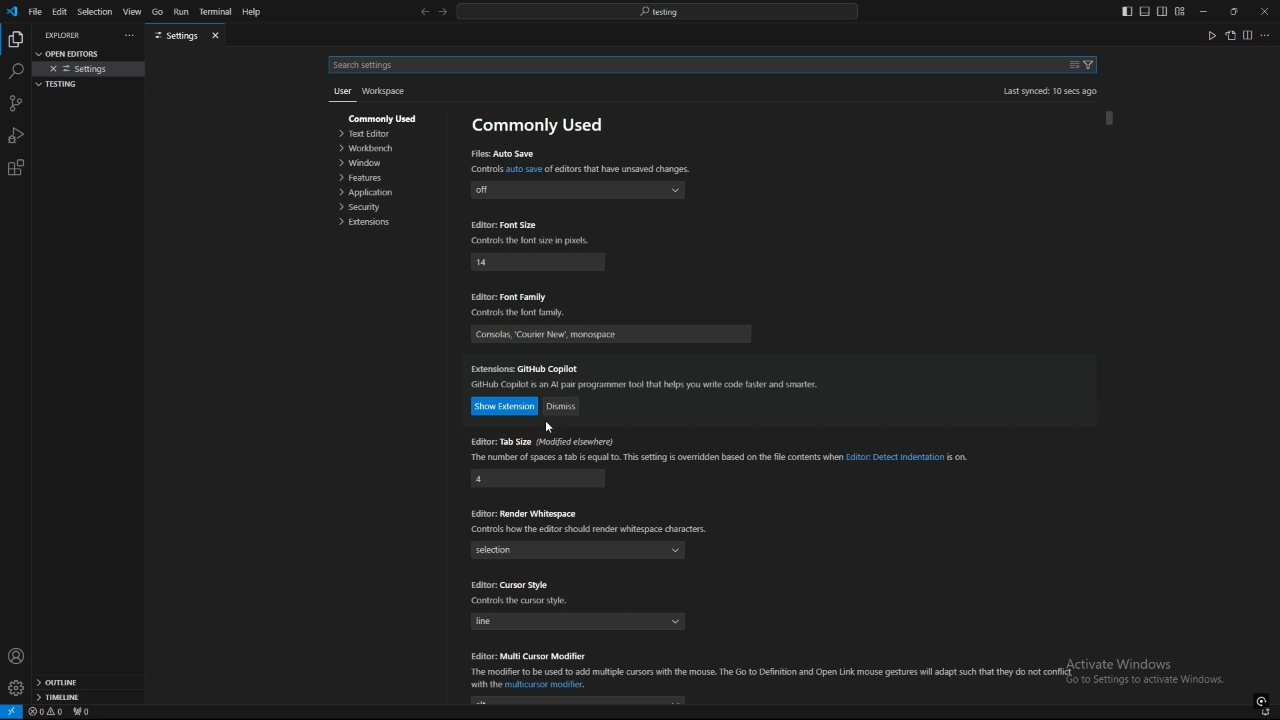 The width and height of the screenshot is (1280, 720). What do you see at coordinates (66, 35) in the screenshot?
I see `explorer` at bounding box center [66, 35].